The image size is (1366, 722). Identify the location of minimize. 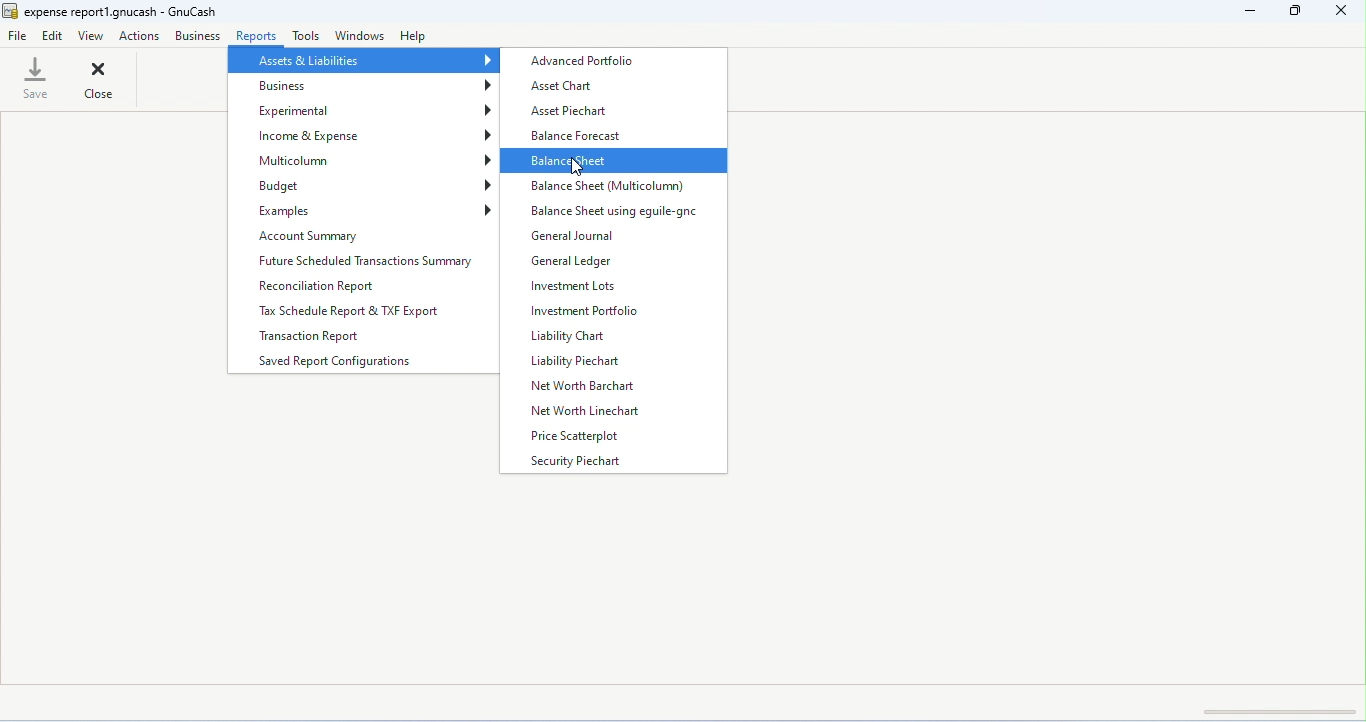
(1248, 12).